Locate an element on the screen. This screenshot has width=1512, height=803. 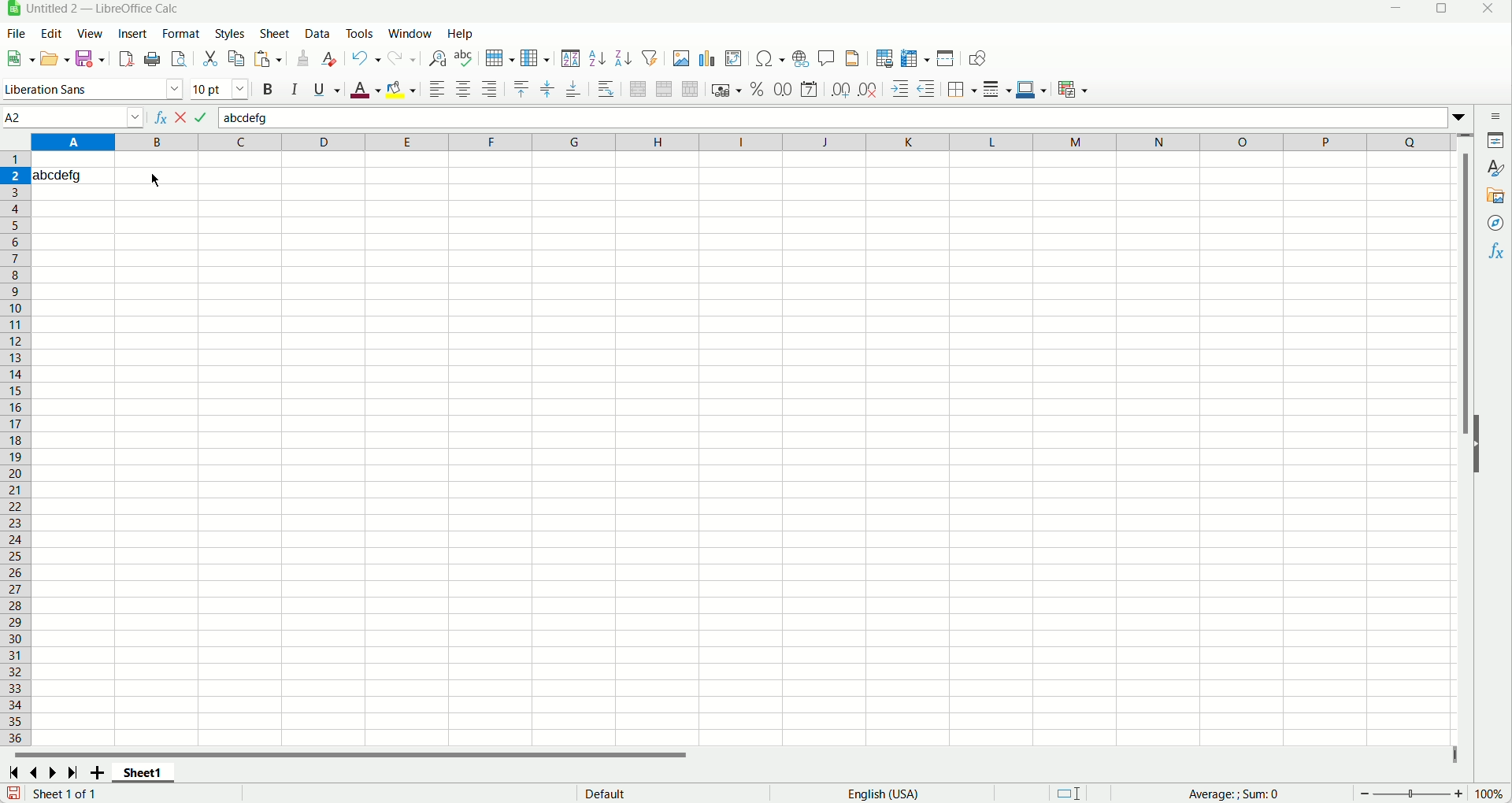
format as currency is located at coordinates (726, 90).